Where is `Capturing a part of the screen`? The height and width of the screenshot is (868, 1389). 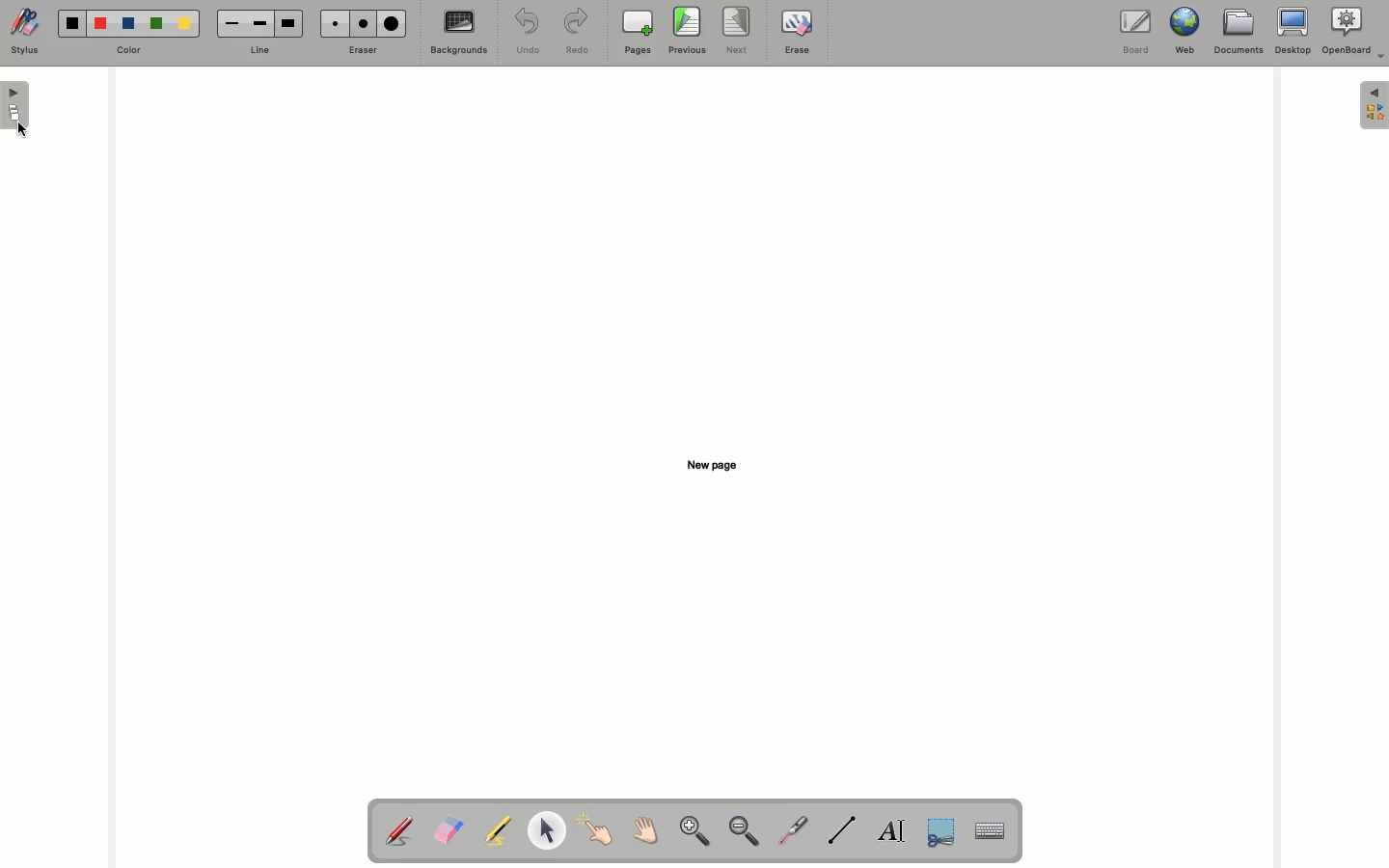 Capturing a part of the screen is located at coordinates (943, 830).